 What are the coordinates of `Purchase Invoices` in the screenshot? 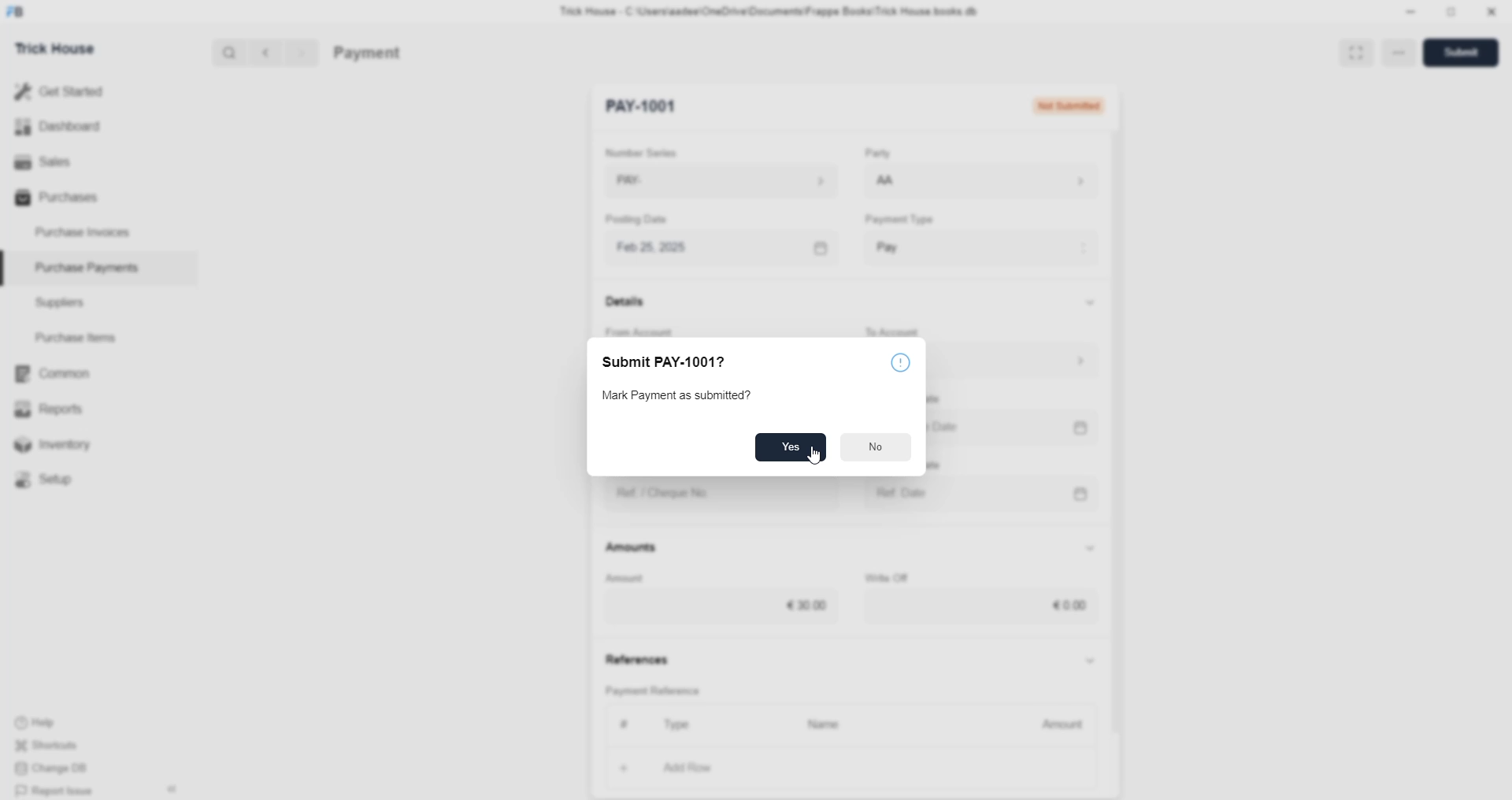 It's located at (85, 231).